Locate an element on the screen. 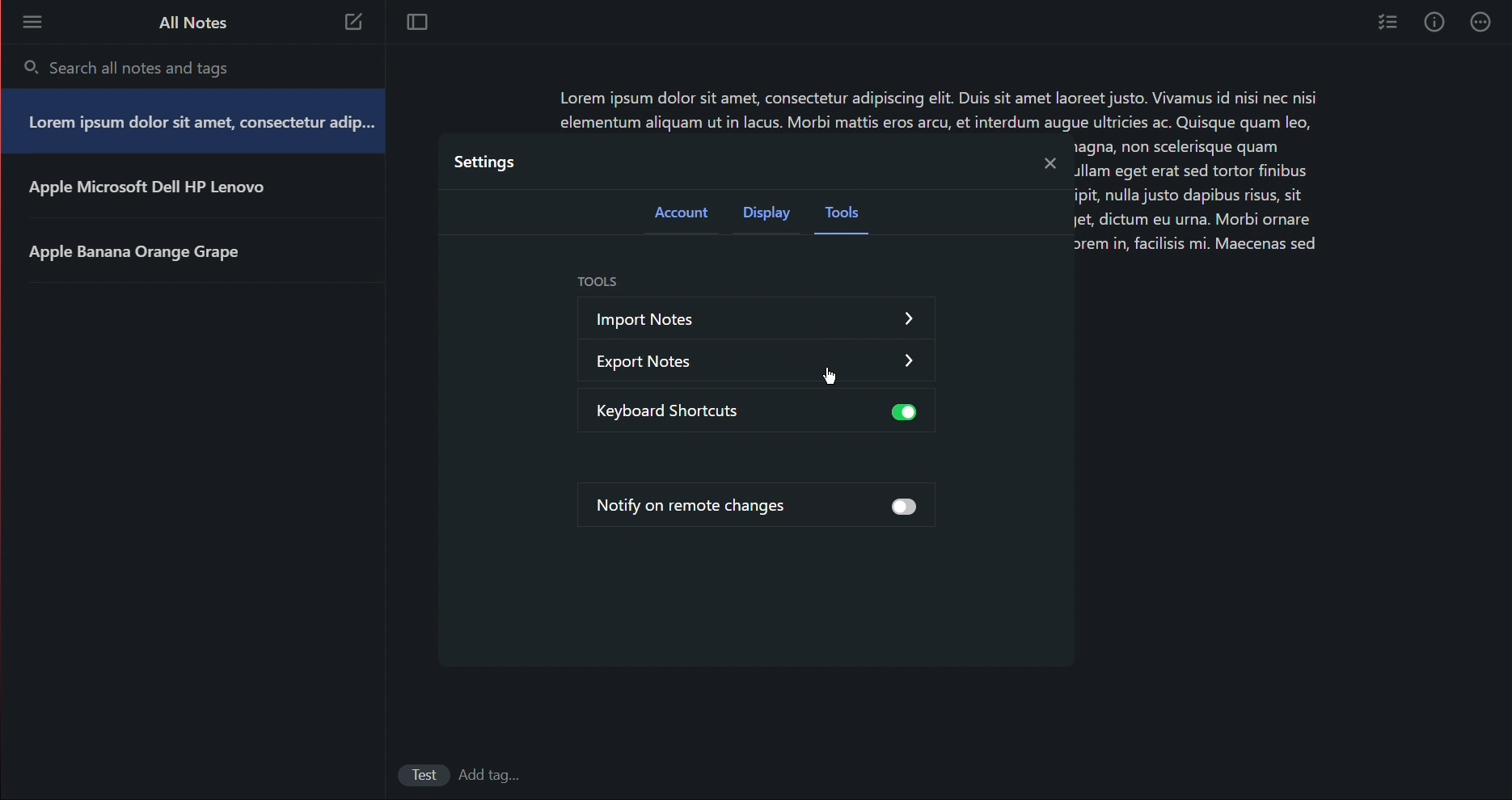 This screenshot has width=1512, height=800. More is located at coordinates (1483, 23).